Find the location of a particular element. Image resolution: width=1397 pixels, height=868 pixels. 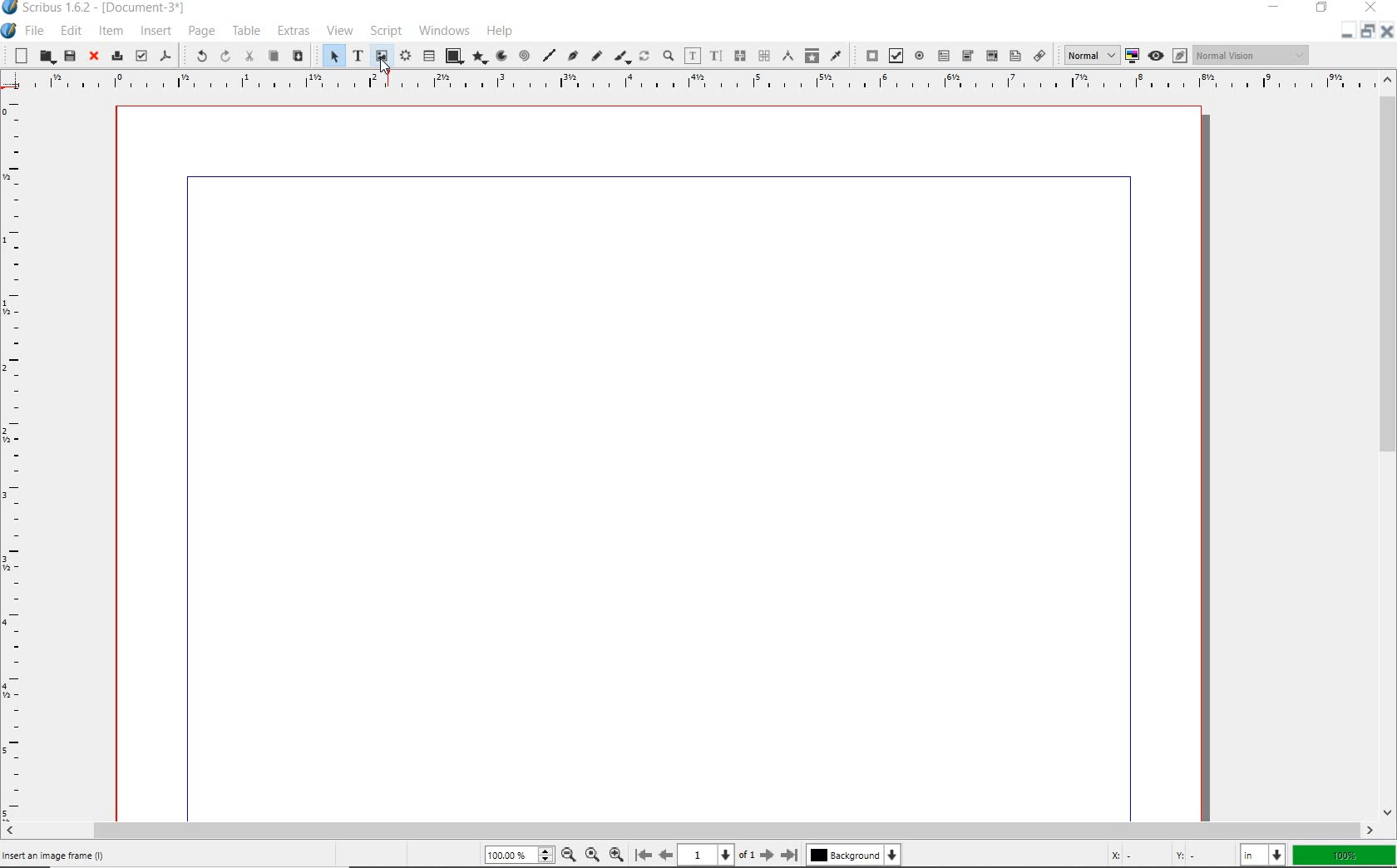

link annotation is located at coordinates (1041, 57).